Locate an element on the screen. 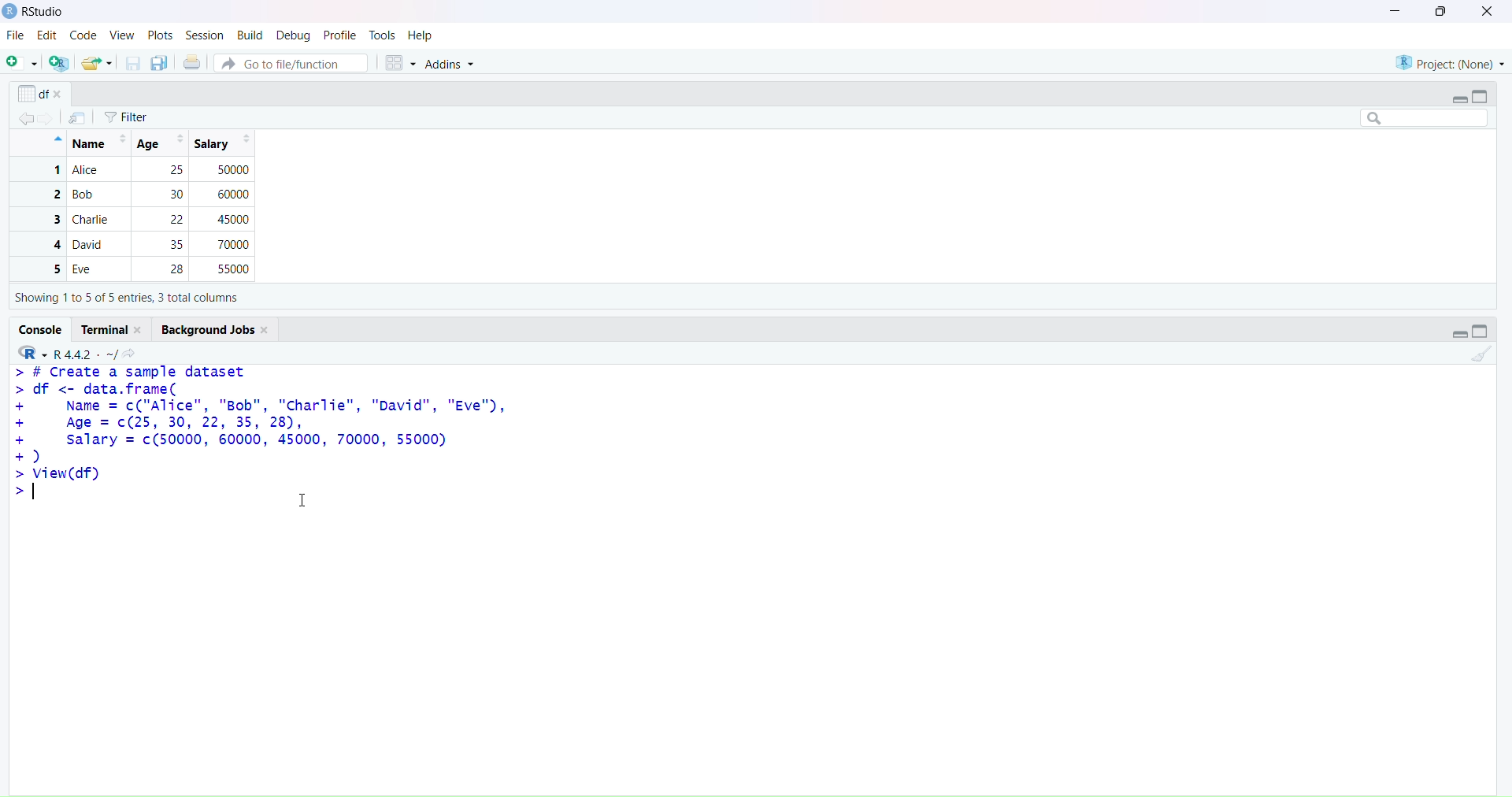 The image size is (1512, 797). R 4.4.2 is located at coordinates (64, 353).